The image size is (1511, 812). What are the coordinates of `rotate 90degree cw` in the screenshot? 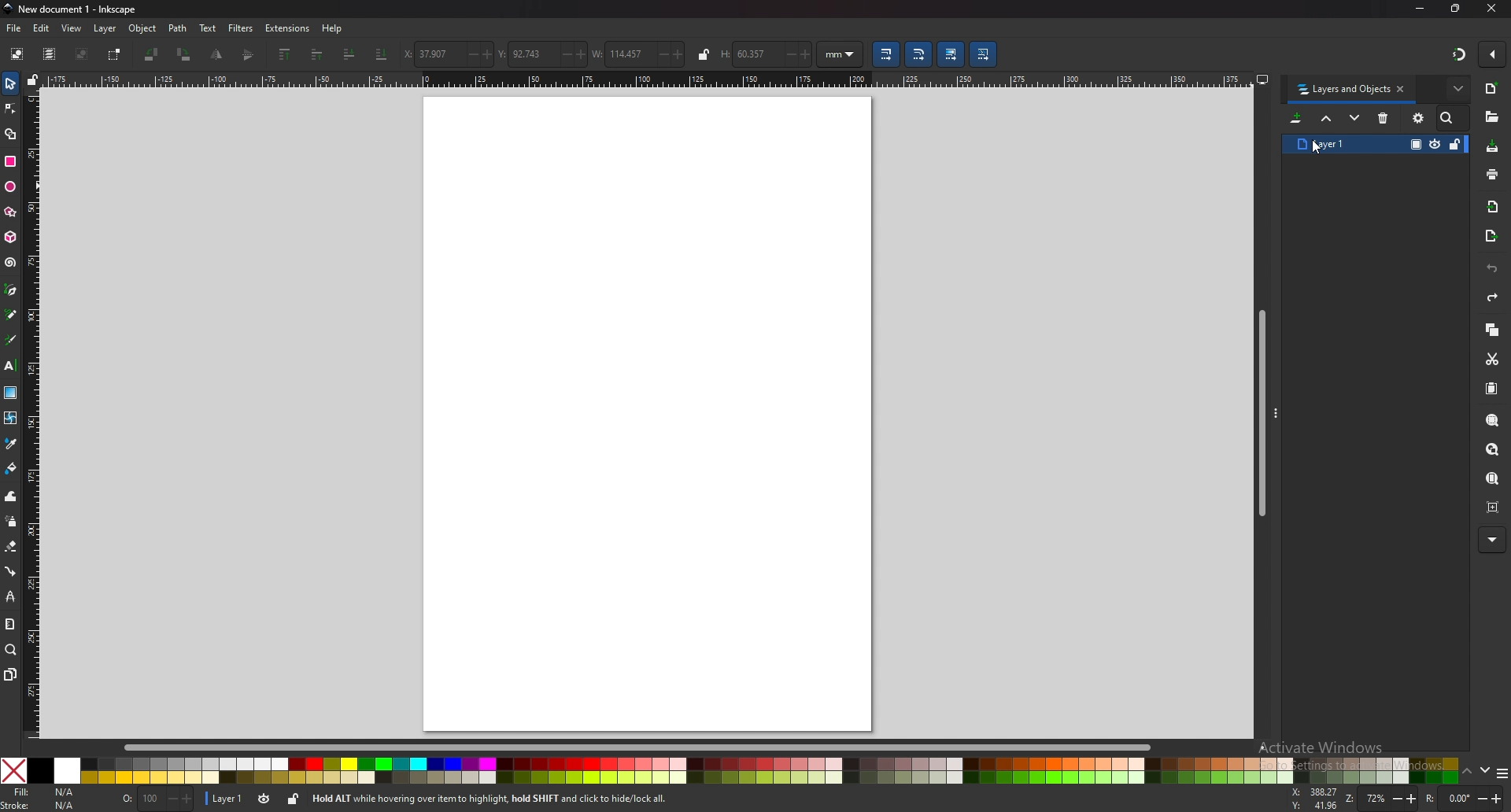 It's located at (185, 54).